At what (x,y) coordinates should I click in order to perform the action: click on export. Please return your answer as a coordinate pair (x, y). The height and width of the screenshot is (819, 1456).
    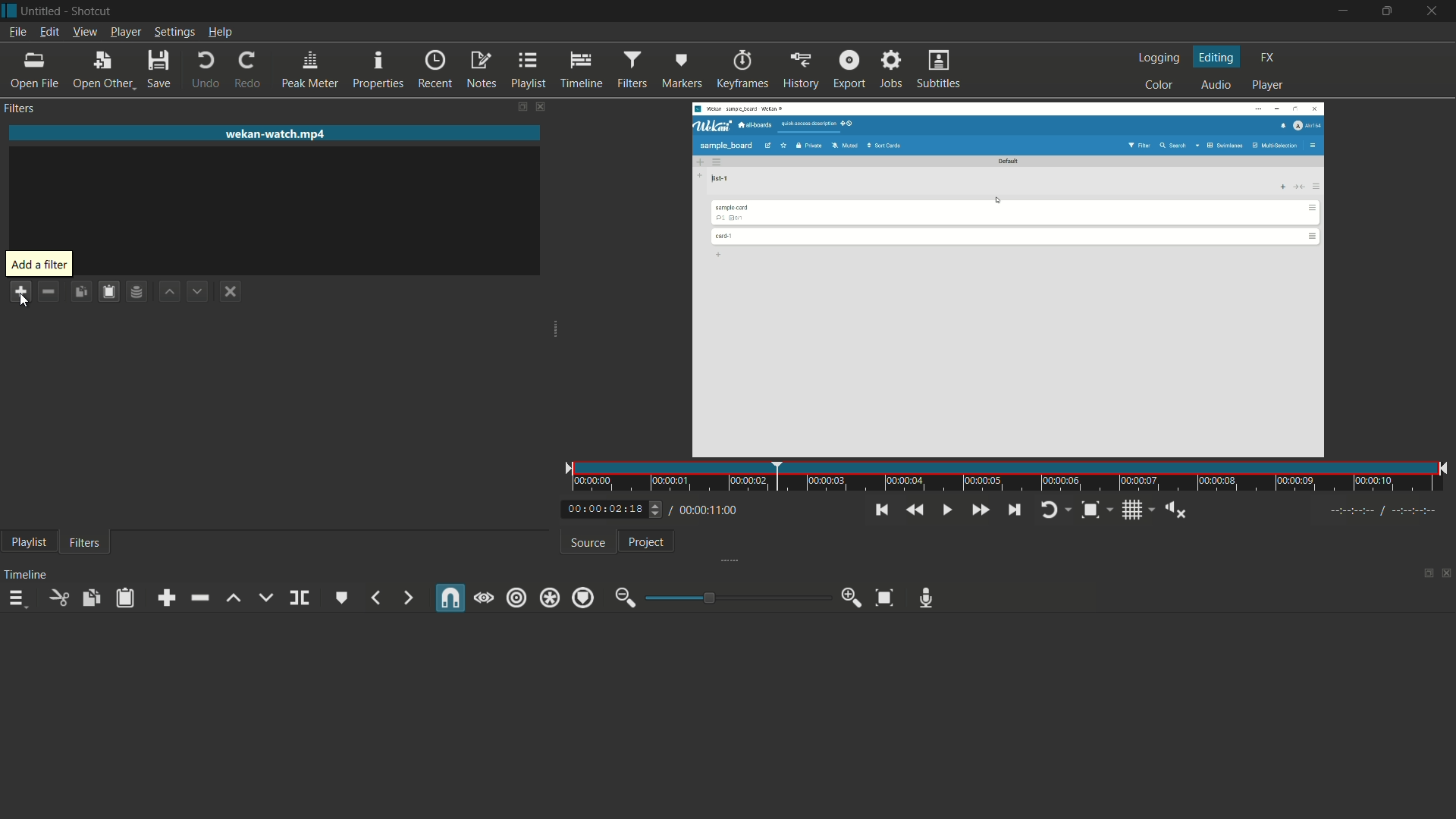
    Looking at the image, I should click on (849, 69).